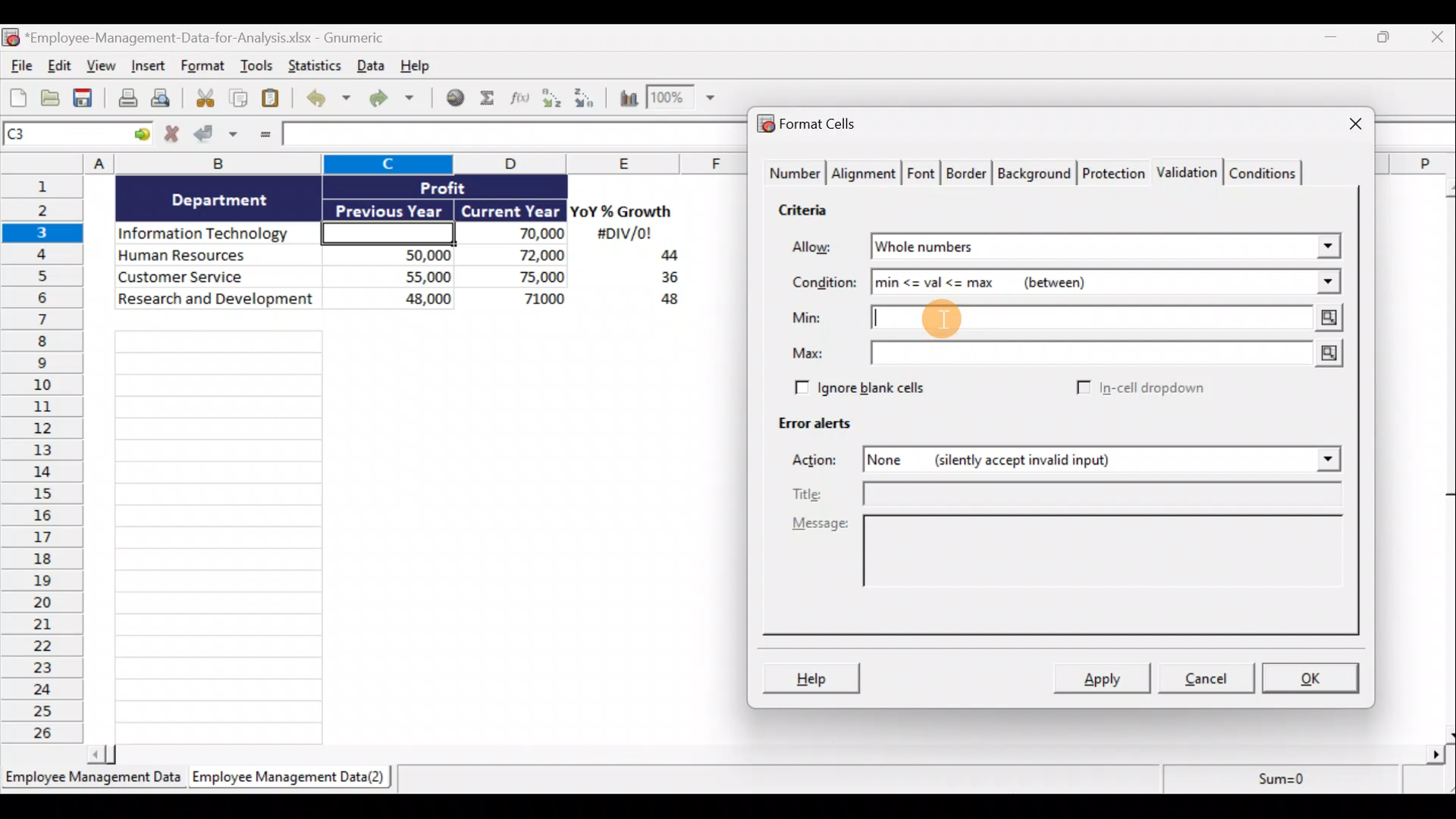 This screenshot has width=1456, height=819. Describe the element at coordinates (1107, 318) in the screenshot. I see `Min value` at that location.